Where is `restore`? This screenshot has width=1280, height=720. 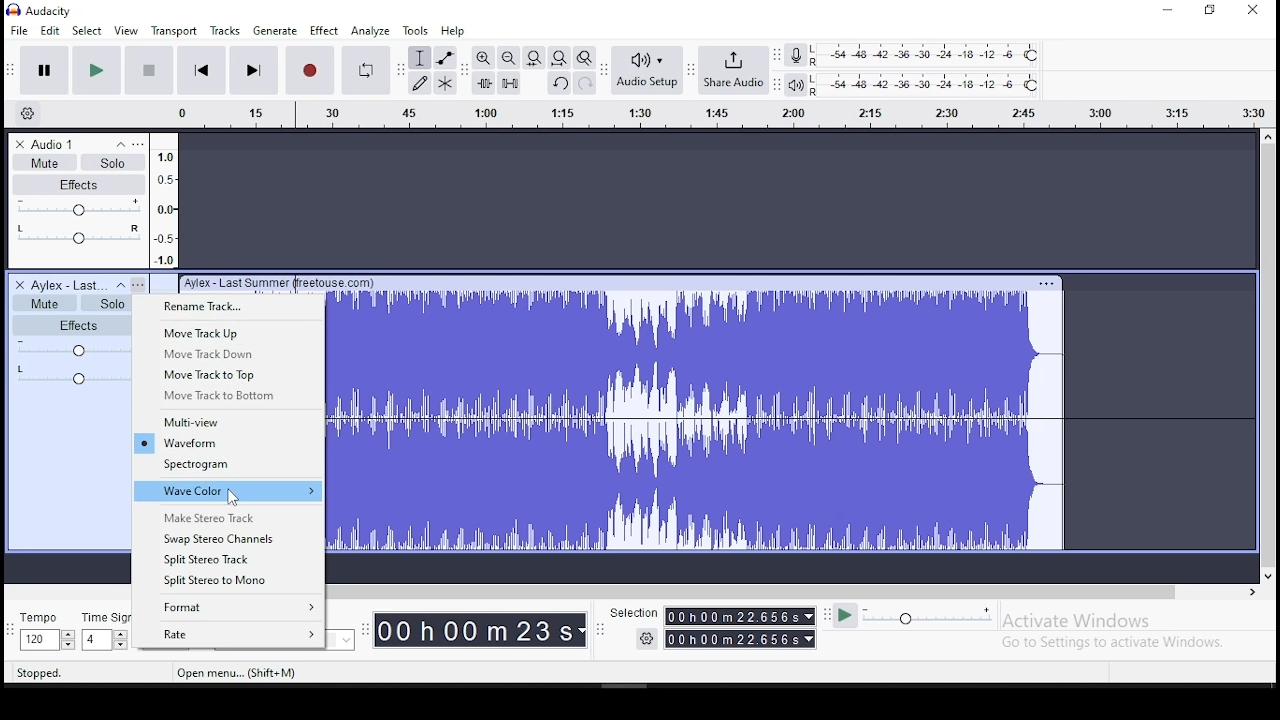 restore is located at coordinates (1211, 10).